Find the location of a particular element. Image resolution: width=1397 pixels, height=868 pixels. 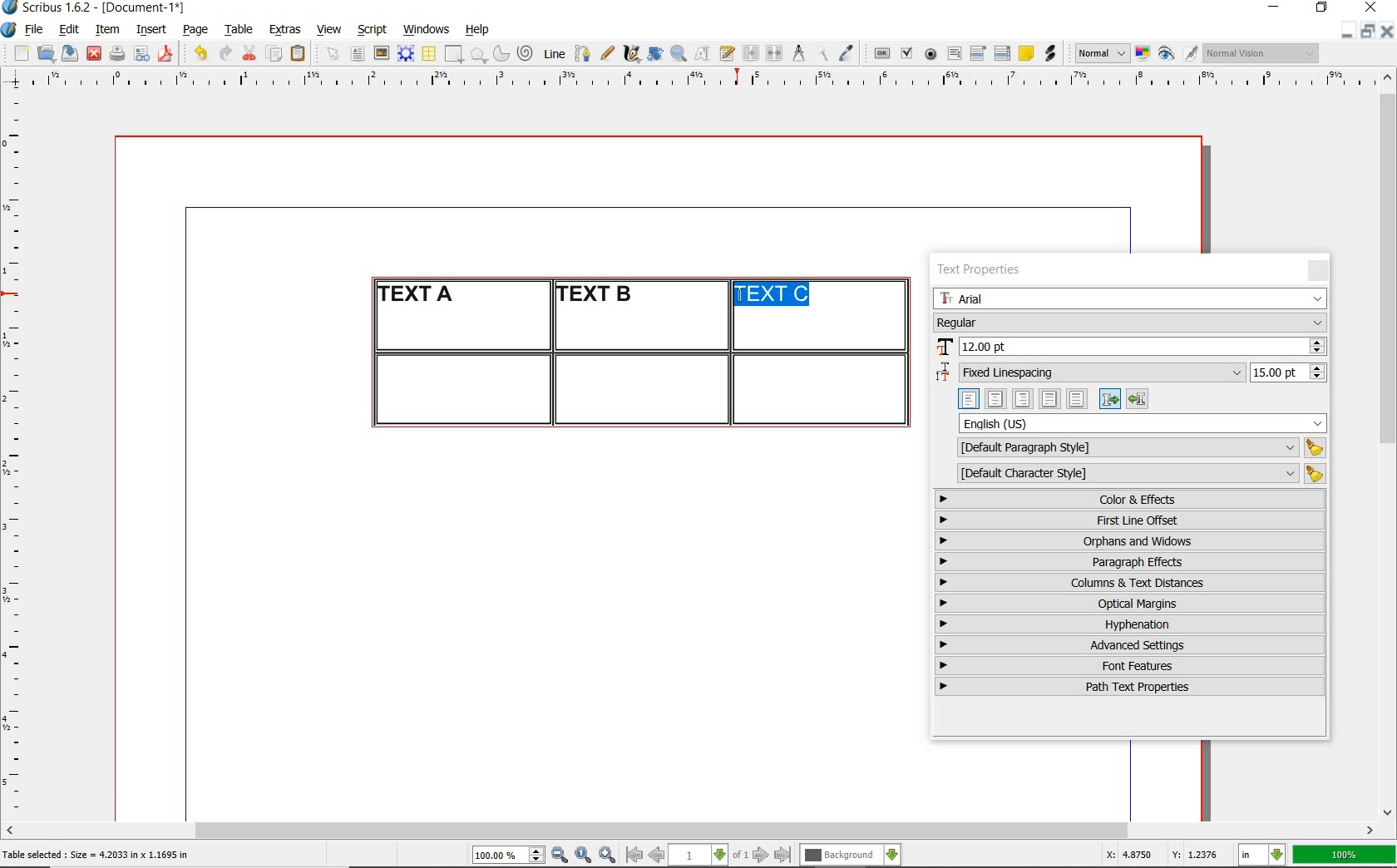

restore is located at coordinates (1322, 8).